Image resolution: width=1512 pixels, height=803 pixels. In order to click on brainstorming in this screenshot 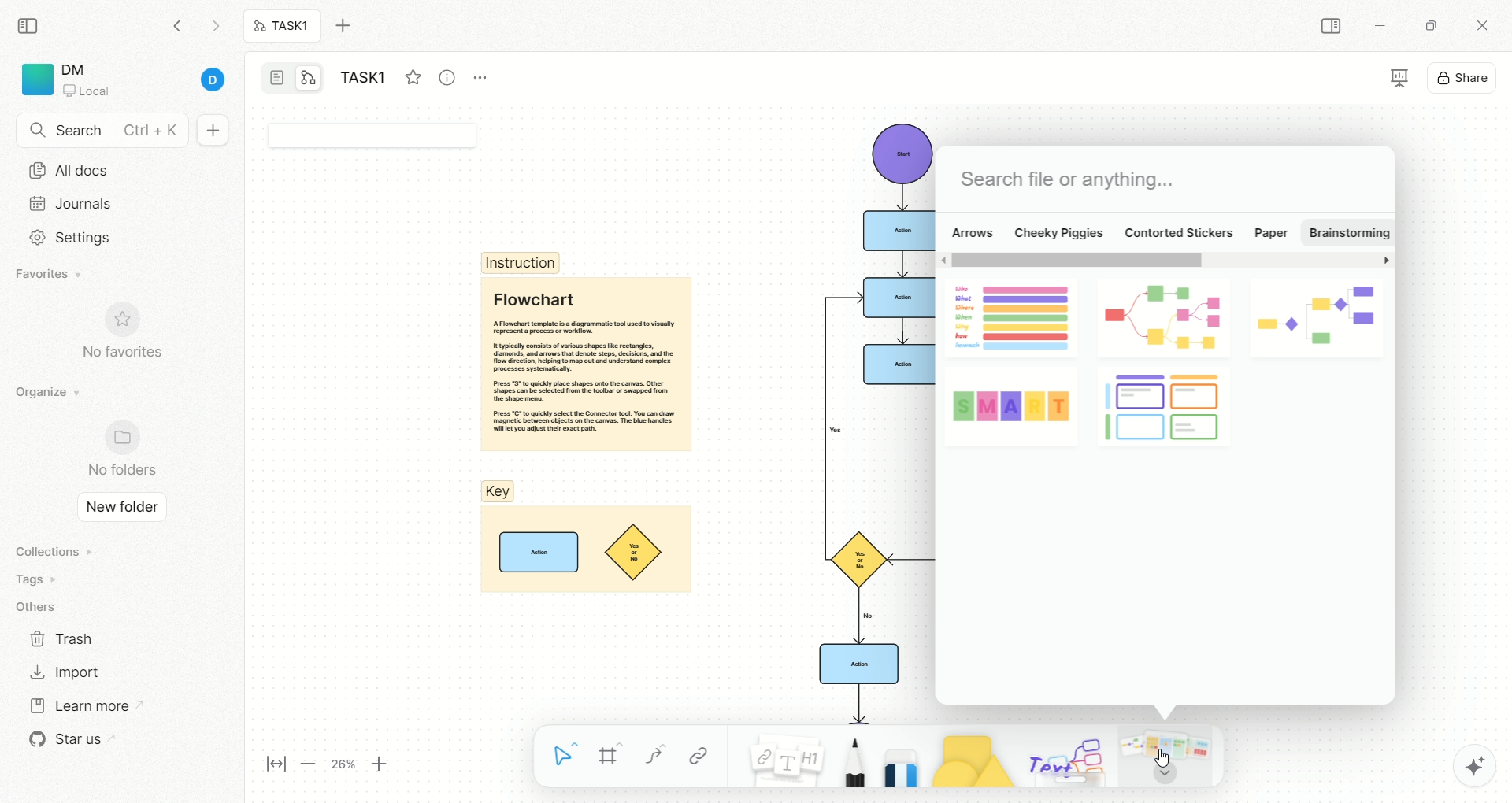, I will do `click(1347, 232)`.